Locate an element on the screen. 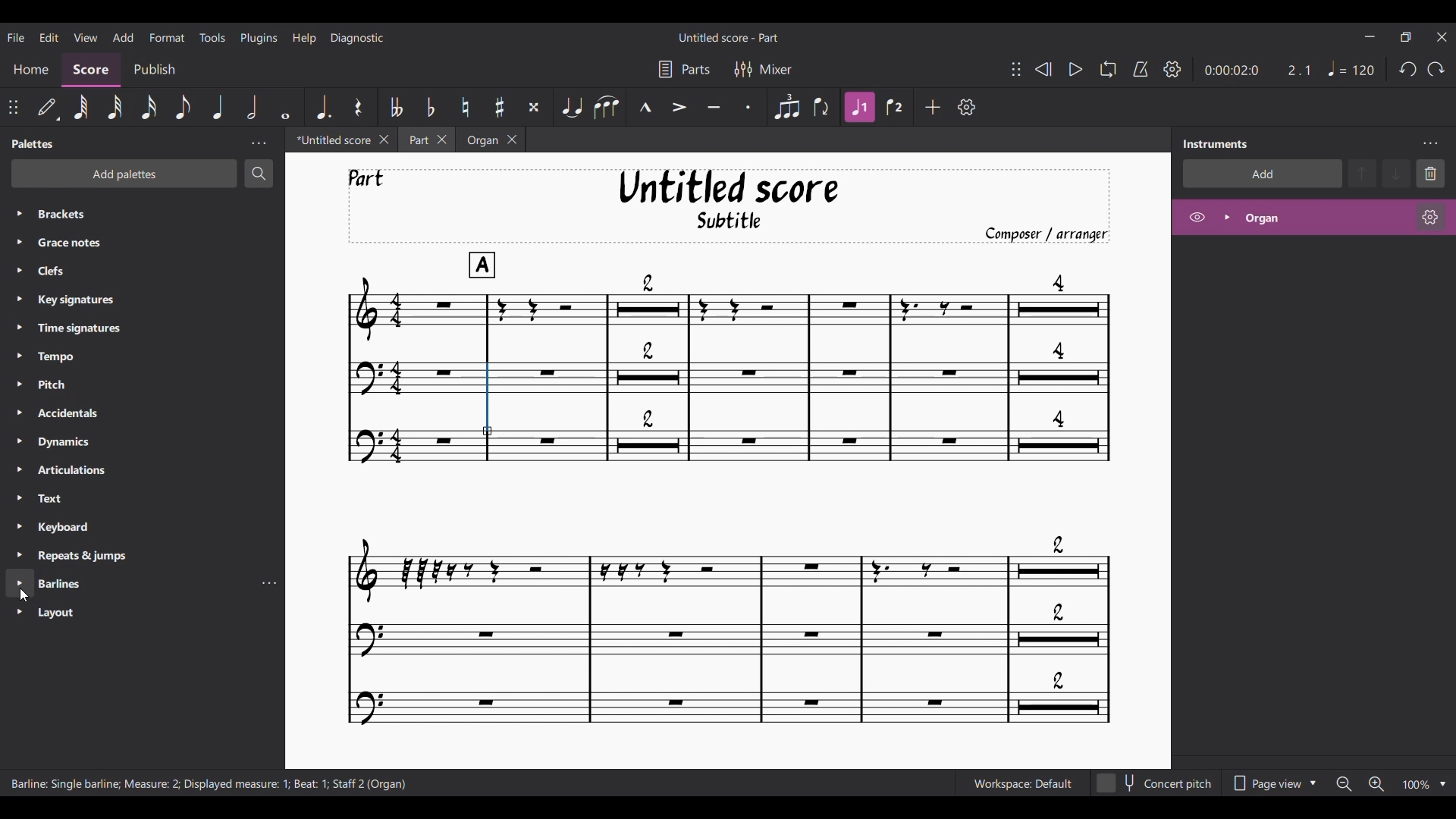 Image resolution: width=1456 pixels, height=819 pixels. Search is located at coordinates (259, 174).